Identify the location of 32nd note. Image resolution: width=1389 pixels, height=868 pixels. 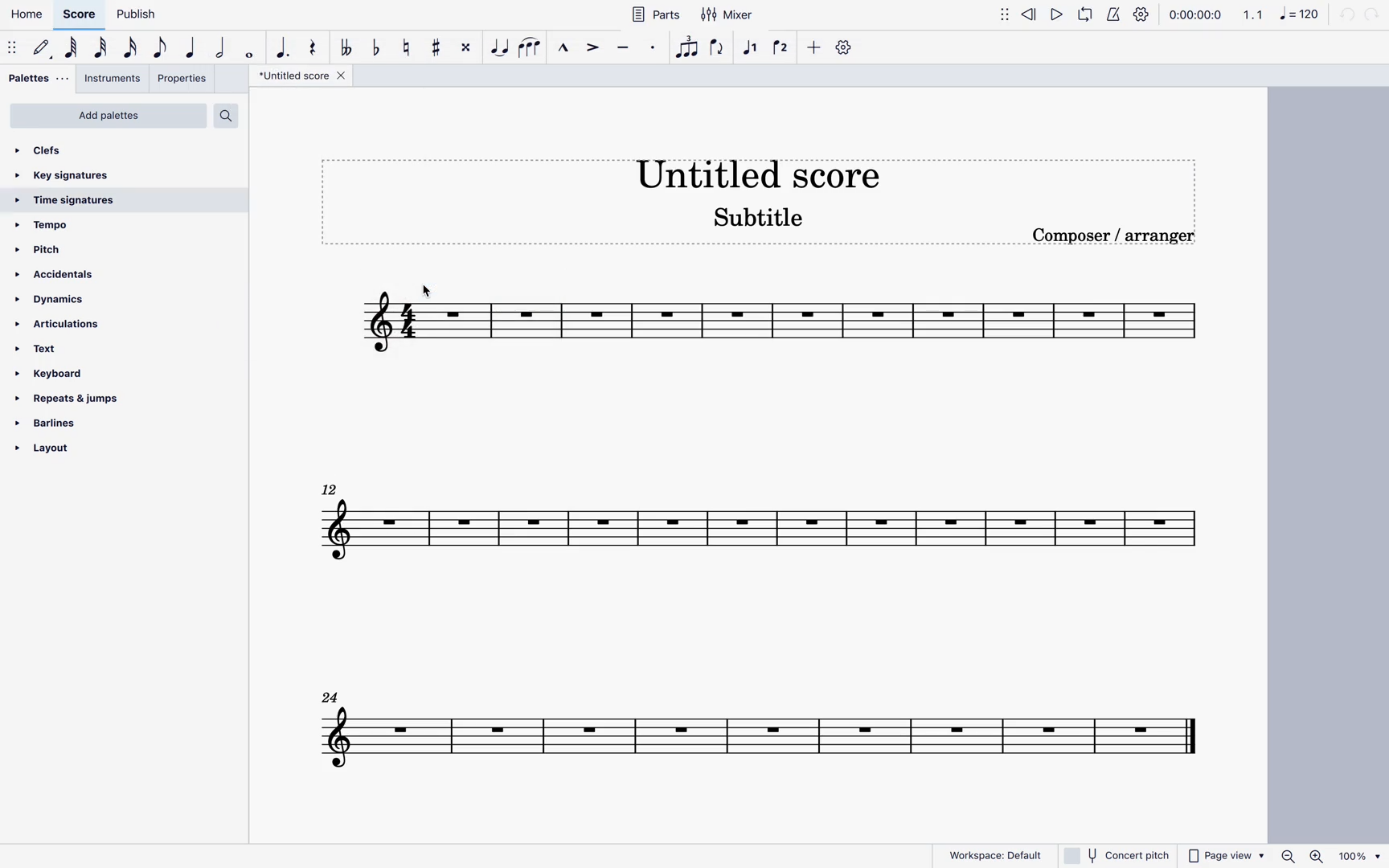
(99, 51).